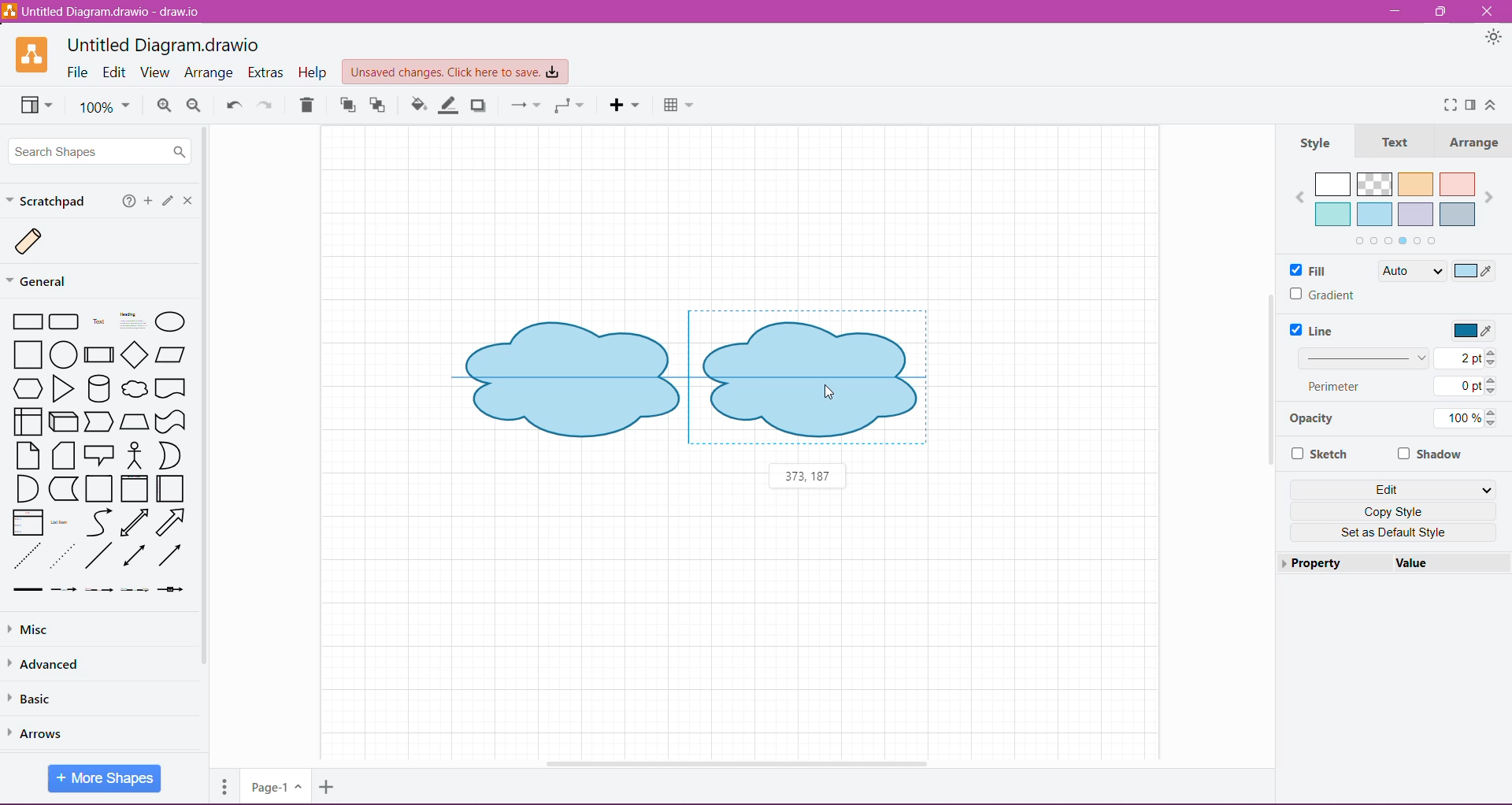  What do you see at coordinates (1269, 387) in the screenshot?
I see `Vertical Scroll Bar` at bounding box center [1269, 387].